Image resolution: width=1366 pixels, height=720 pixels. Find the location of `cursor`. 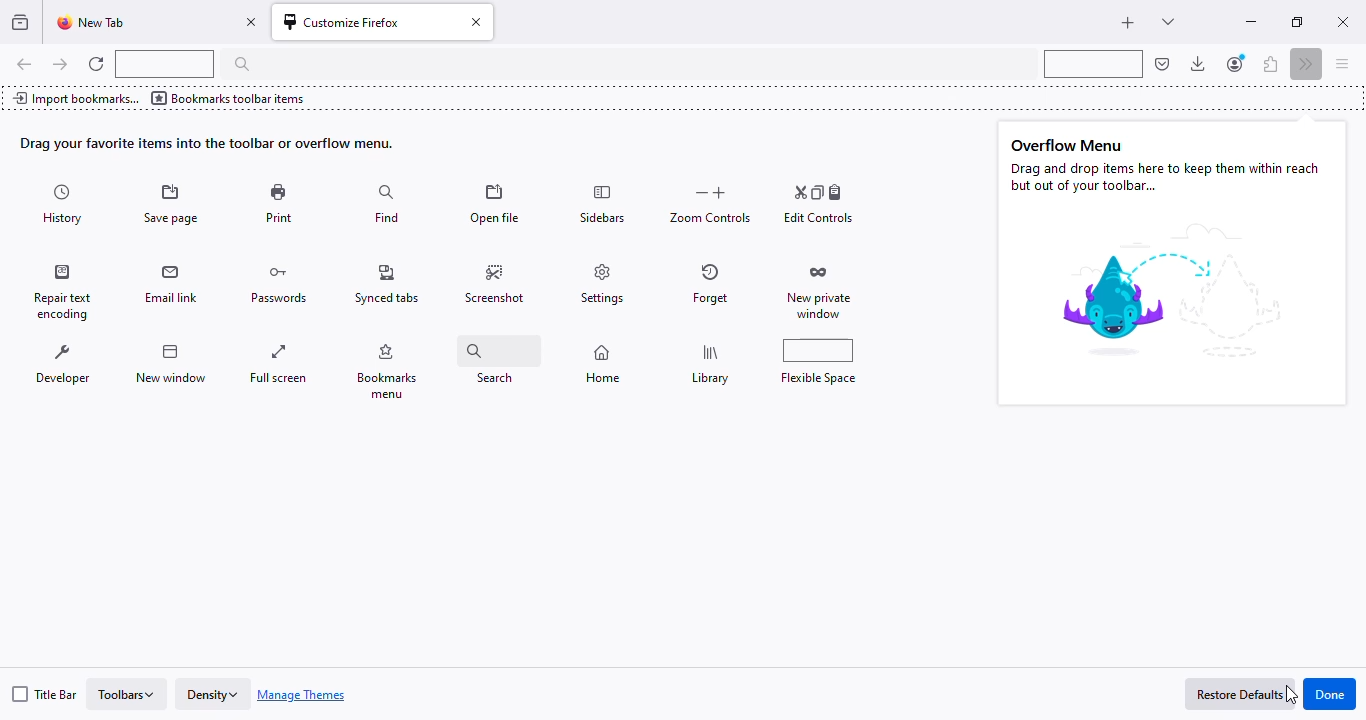

cursor is located at coordinates (1293, 694).